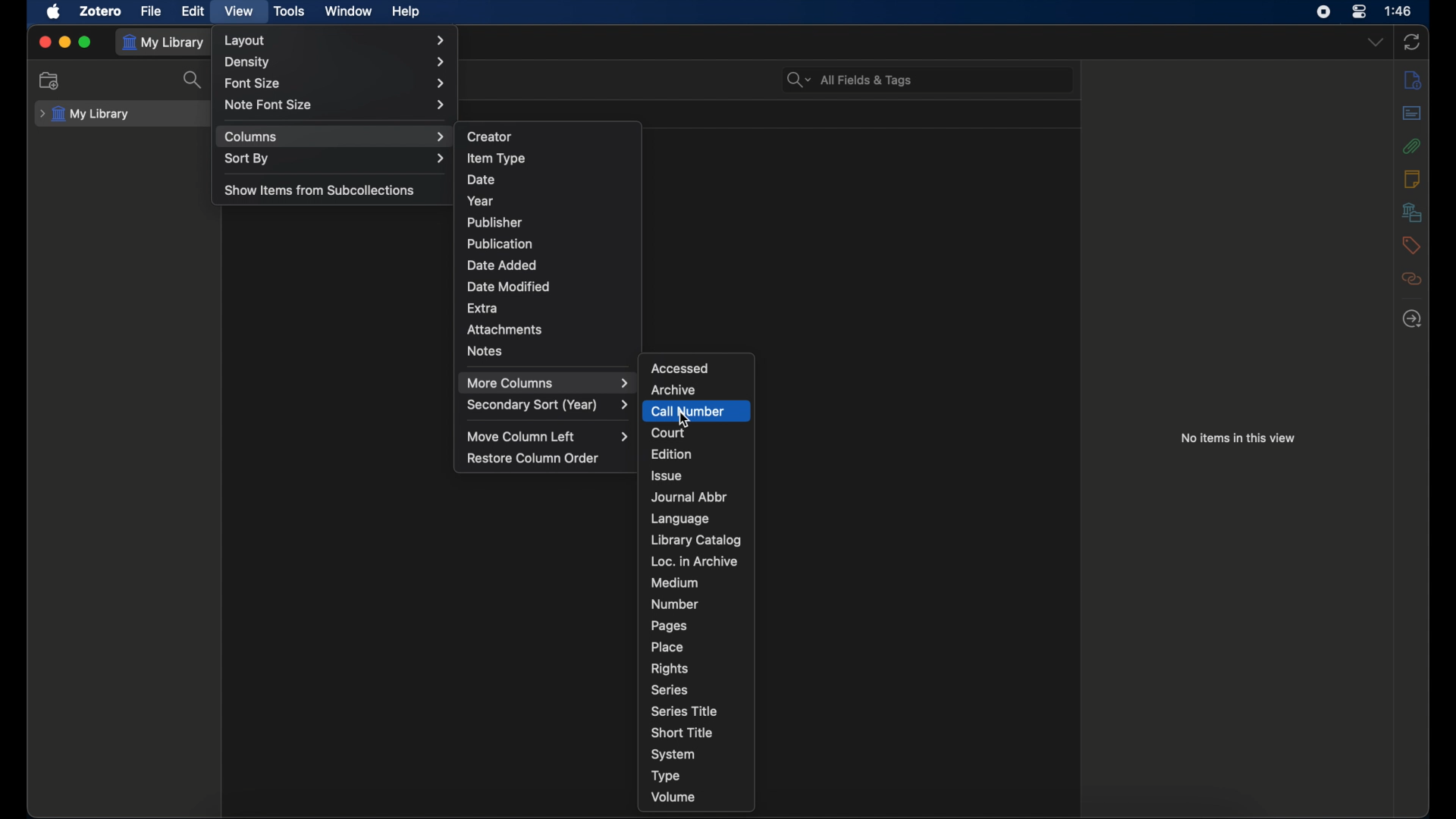  I want to click on accessed, so click(679, 368).